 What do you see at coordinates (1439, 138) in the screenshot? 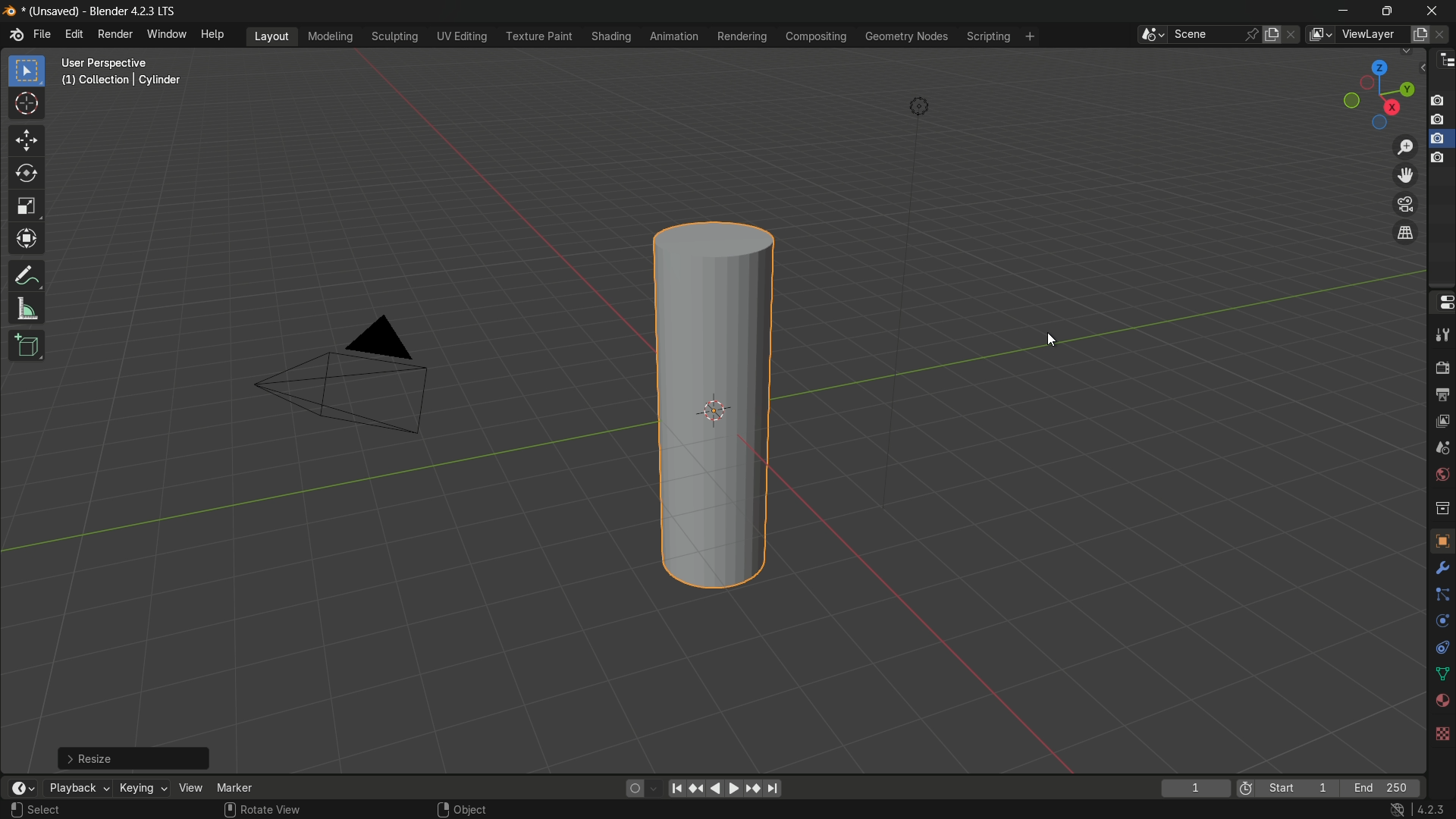
I see `layer 3` at bounding box center [1439, 138].